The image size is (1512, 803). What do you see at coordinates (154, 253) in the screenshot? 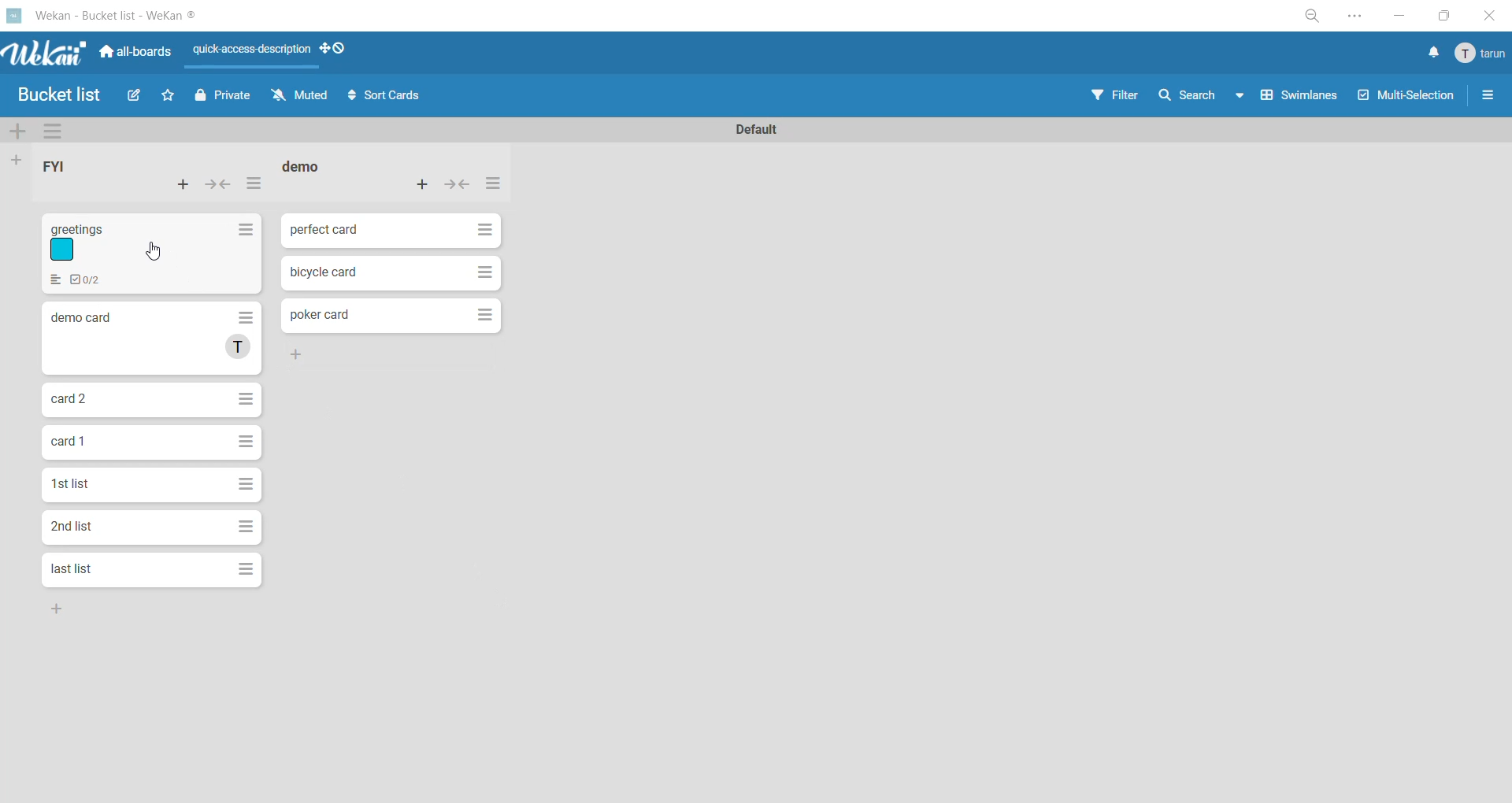
I see `Greetings` at bounding box center [154, 253].